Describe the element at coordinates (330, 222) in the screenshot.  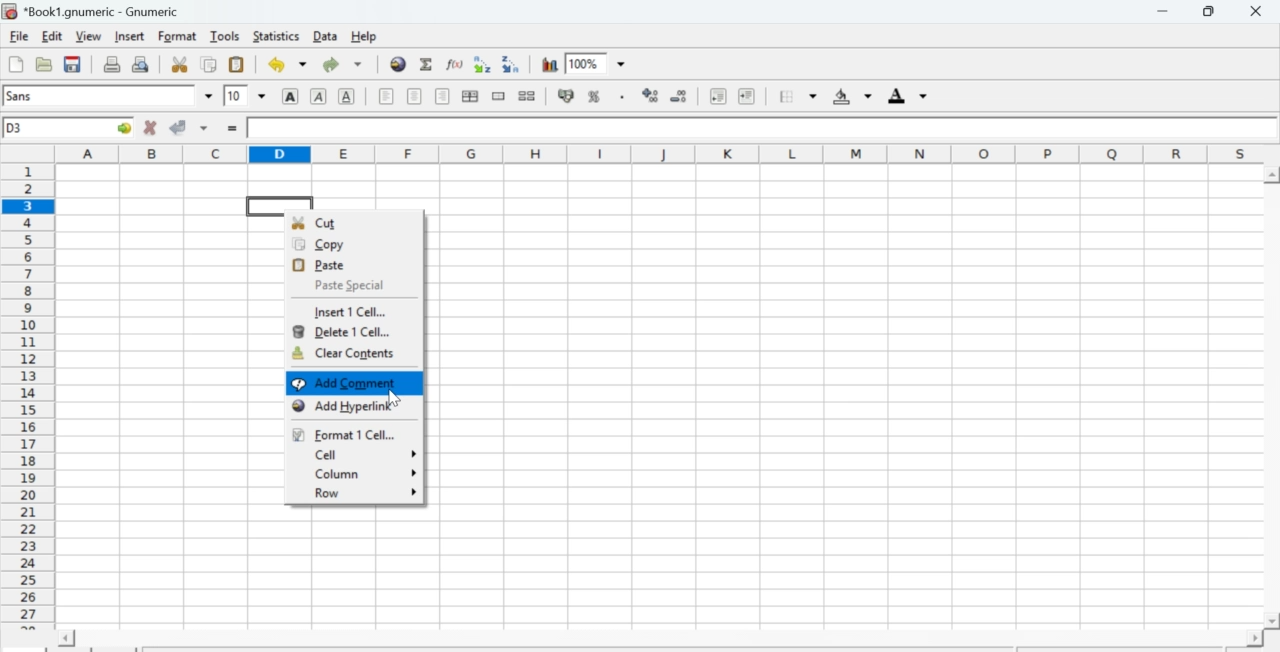
I see `Cut` at that location.